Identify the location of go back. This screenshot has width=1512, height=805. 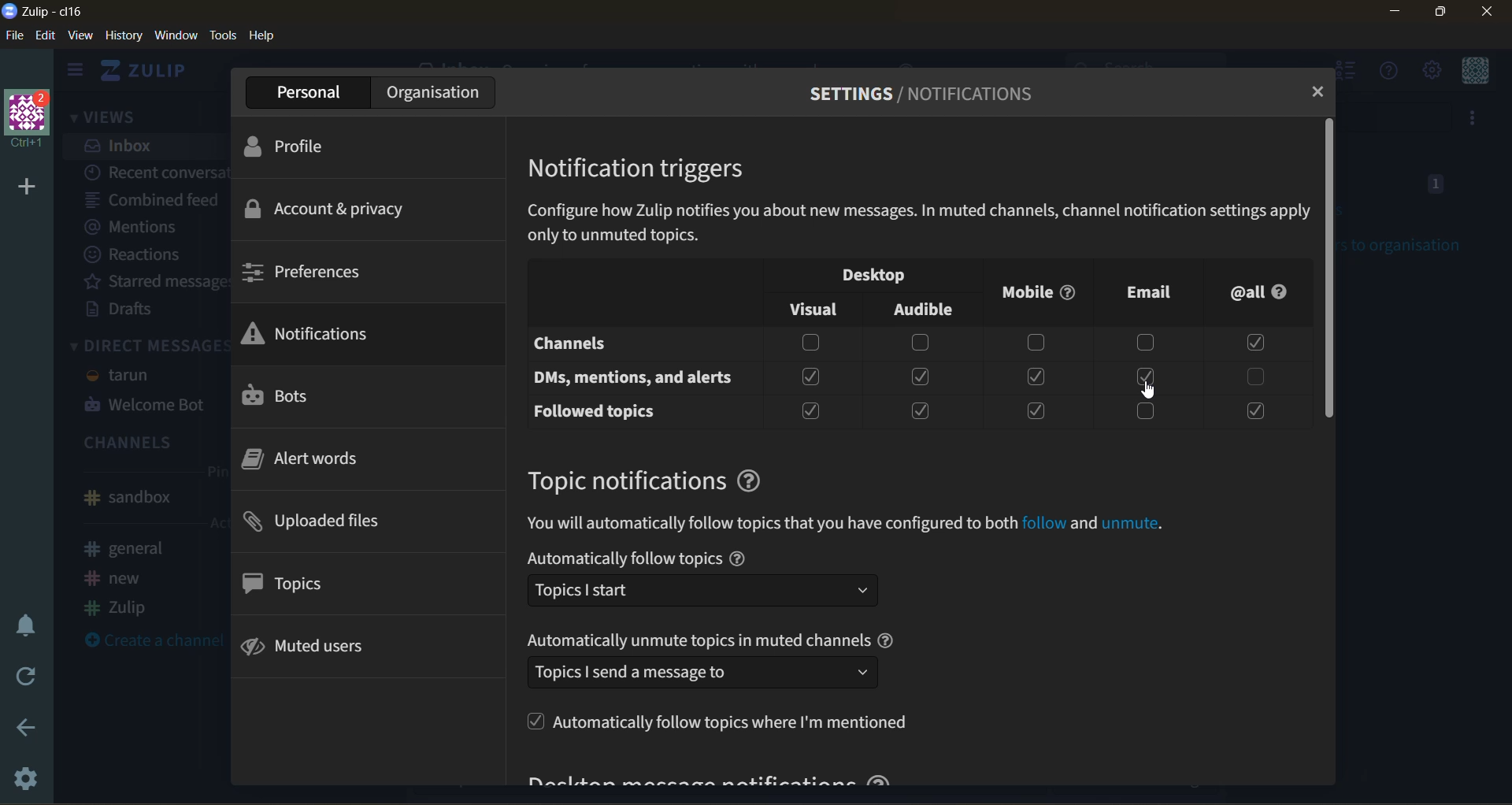
(27, 729).